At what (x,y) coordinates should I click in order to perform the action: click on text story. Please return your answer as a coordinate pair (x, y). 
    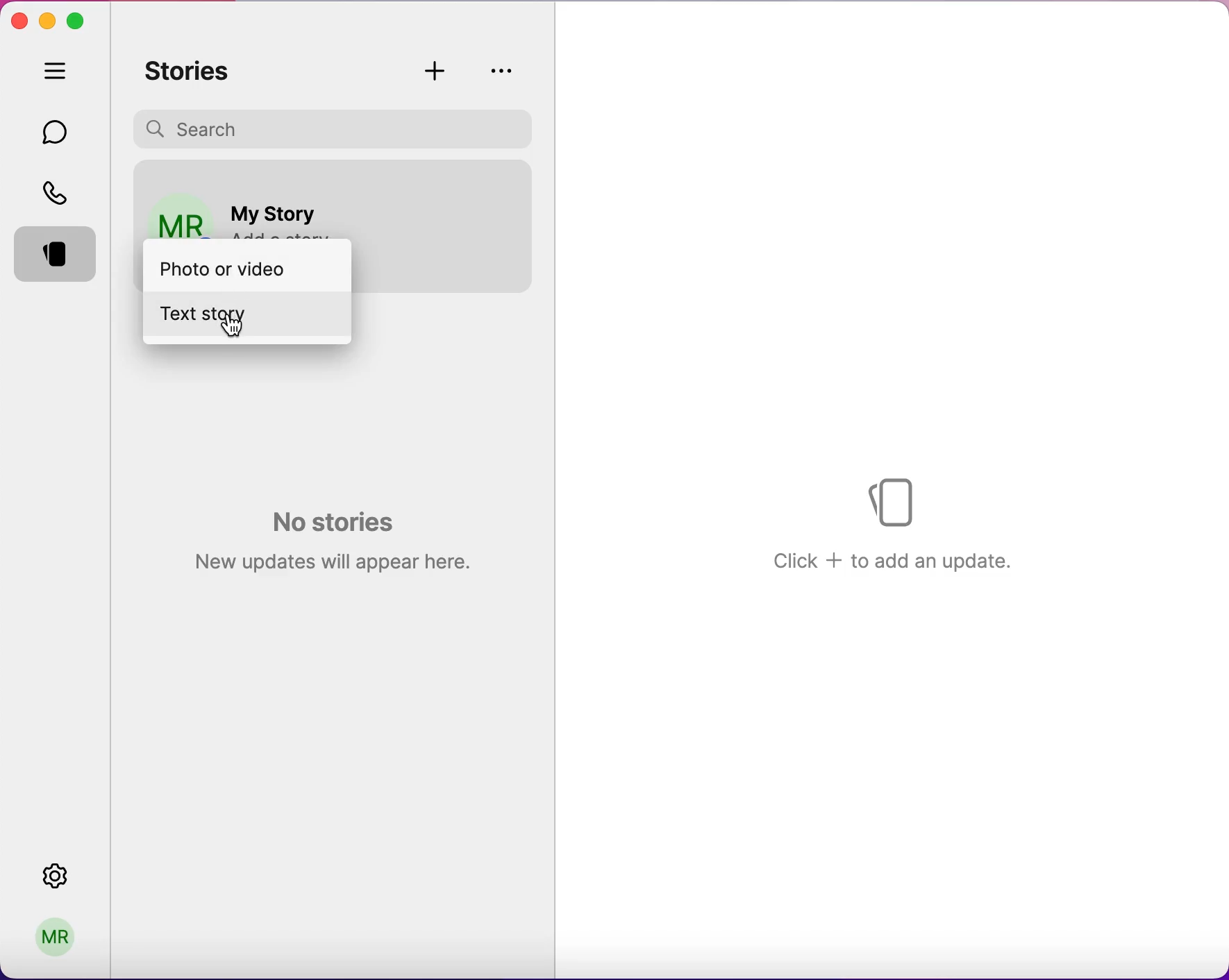
    Looking at the image, I should click on (237, 315).